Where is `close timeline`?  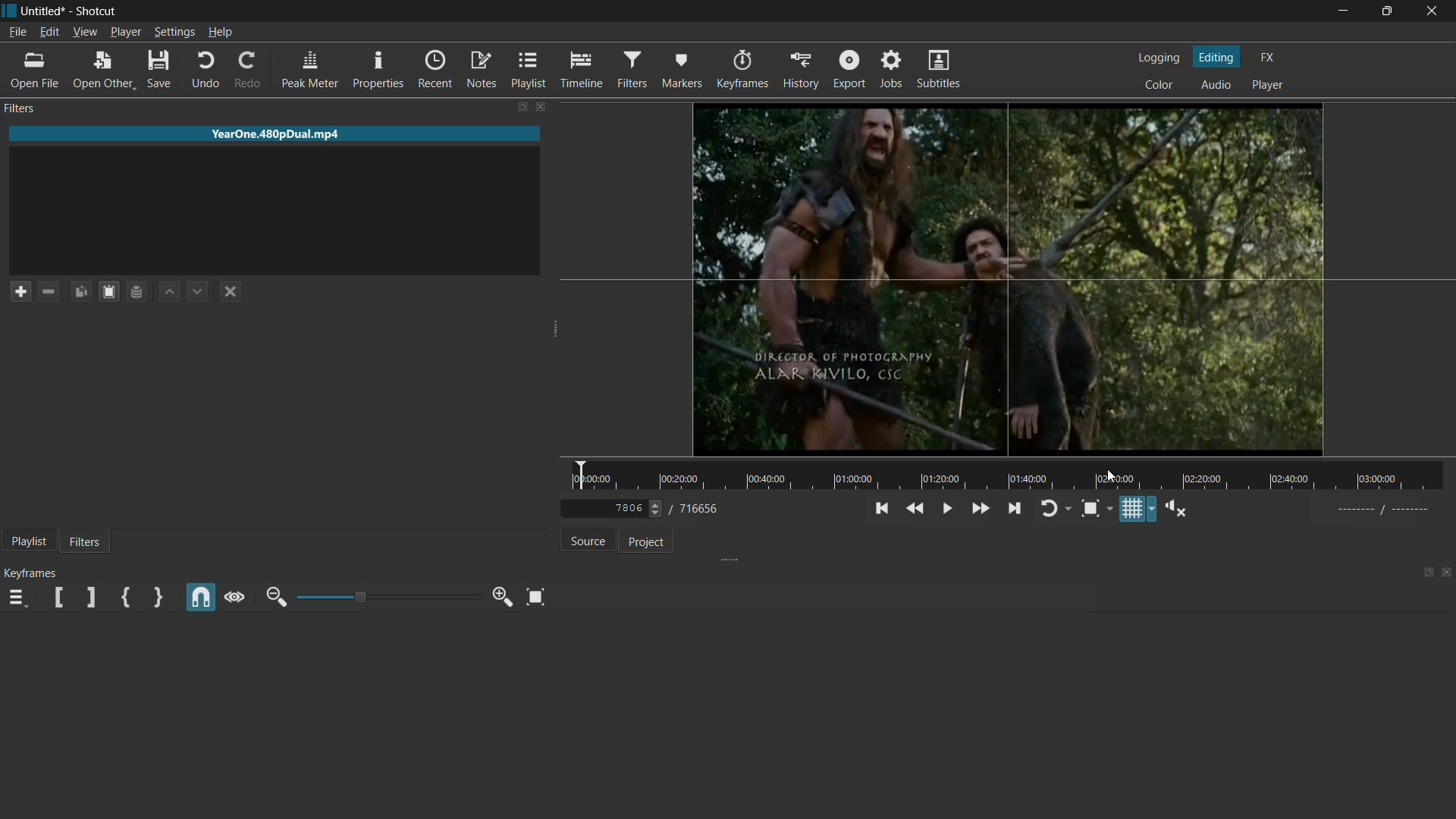
close timeline is located at coordinates (1447, 573).